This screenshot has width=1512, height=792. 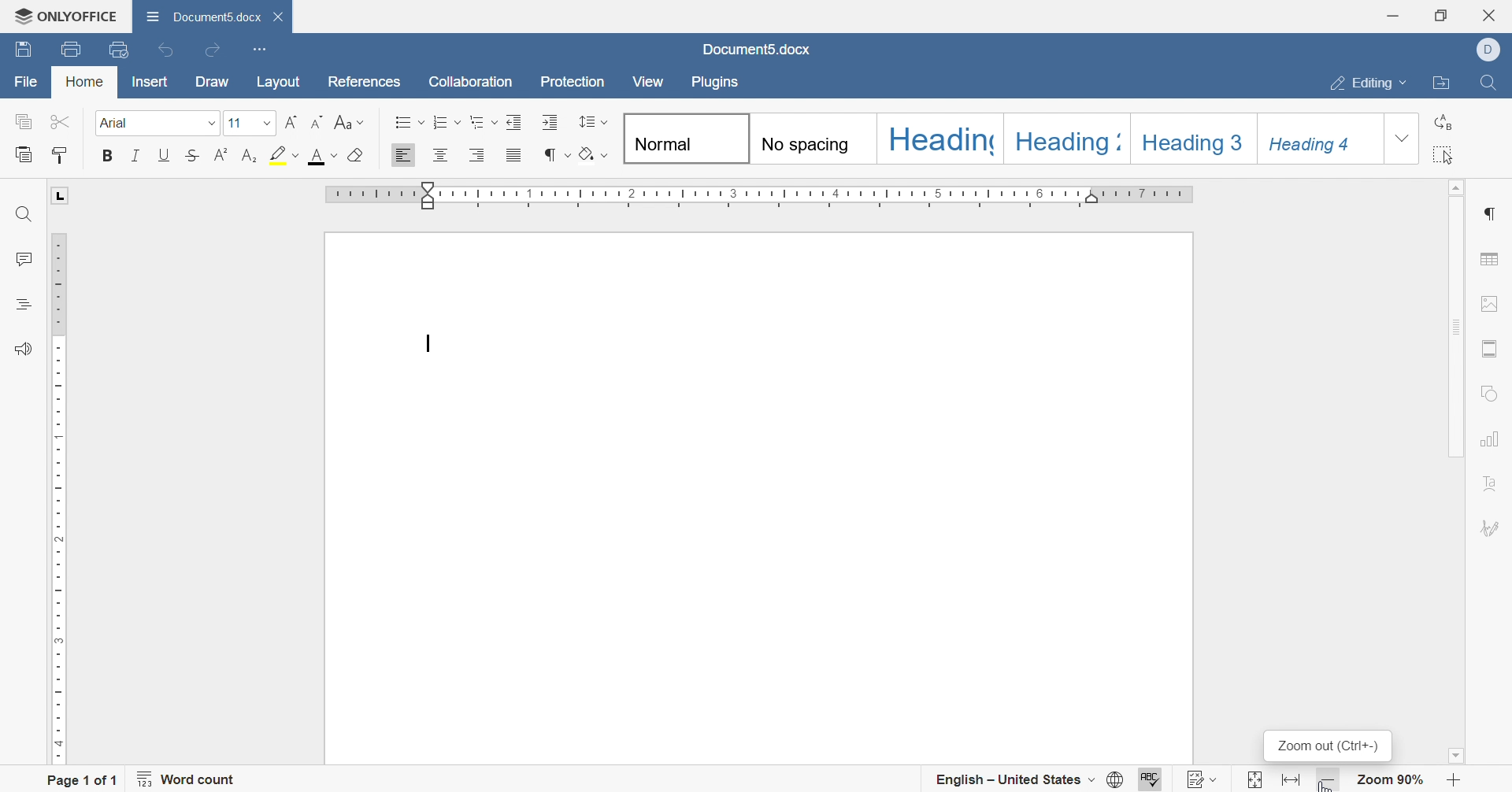 I want to click on text art settings, so click(x=1492, y=485).